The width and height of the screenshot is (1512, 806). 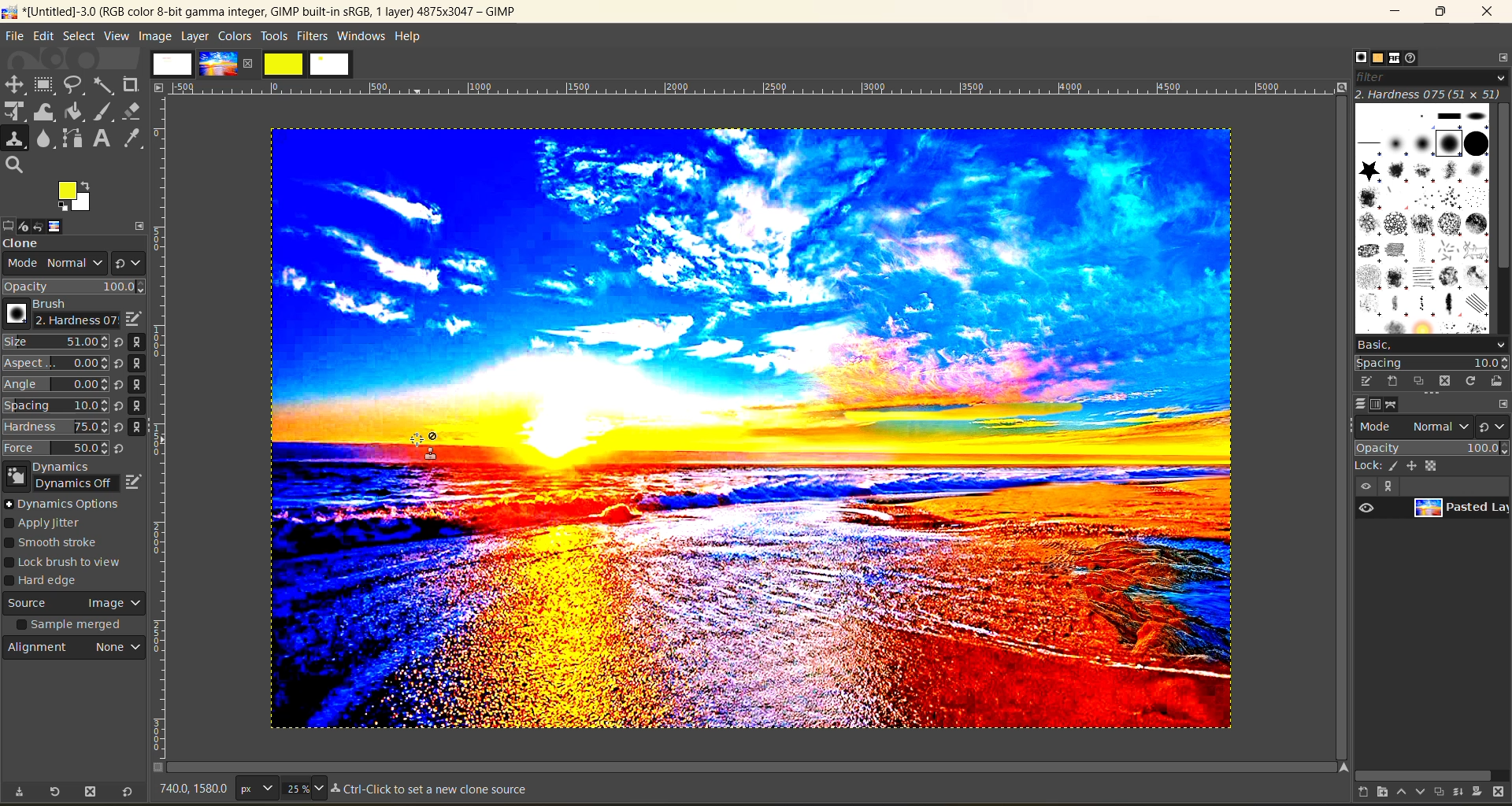 What do you see at coordinates (1395, 793) in the screenshot?
I see `raise this layer` at bounding box center [1395, 793].